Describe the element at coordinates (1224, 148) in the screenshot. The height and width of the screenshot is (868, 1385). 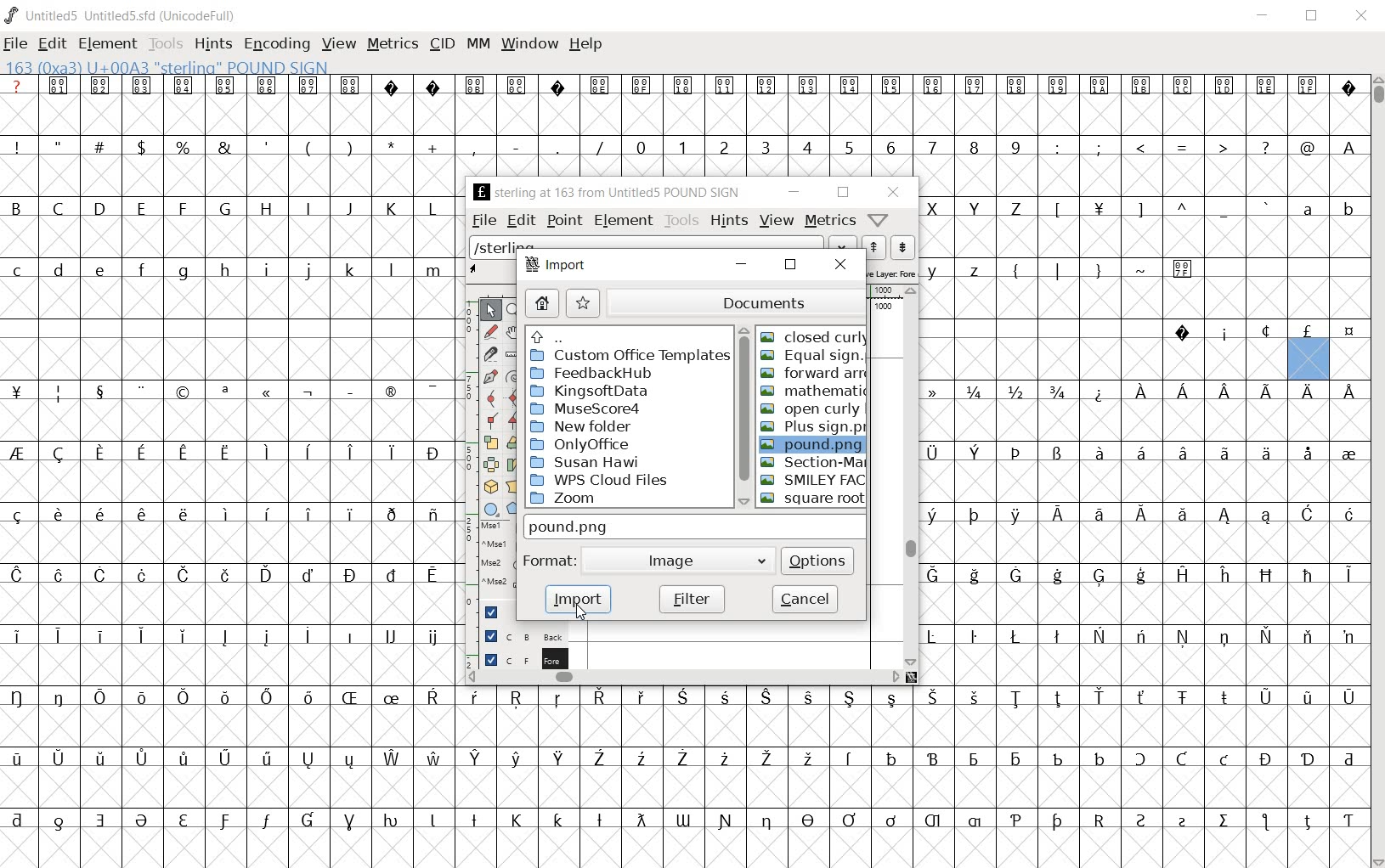
I see `>` at that location.